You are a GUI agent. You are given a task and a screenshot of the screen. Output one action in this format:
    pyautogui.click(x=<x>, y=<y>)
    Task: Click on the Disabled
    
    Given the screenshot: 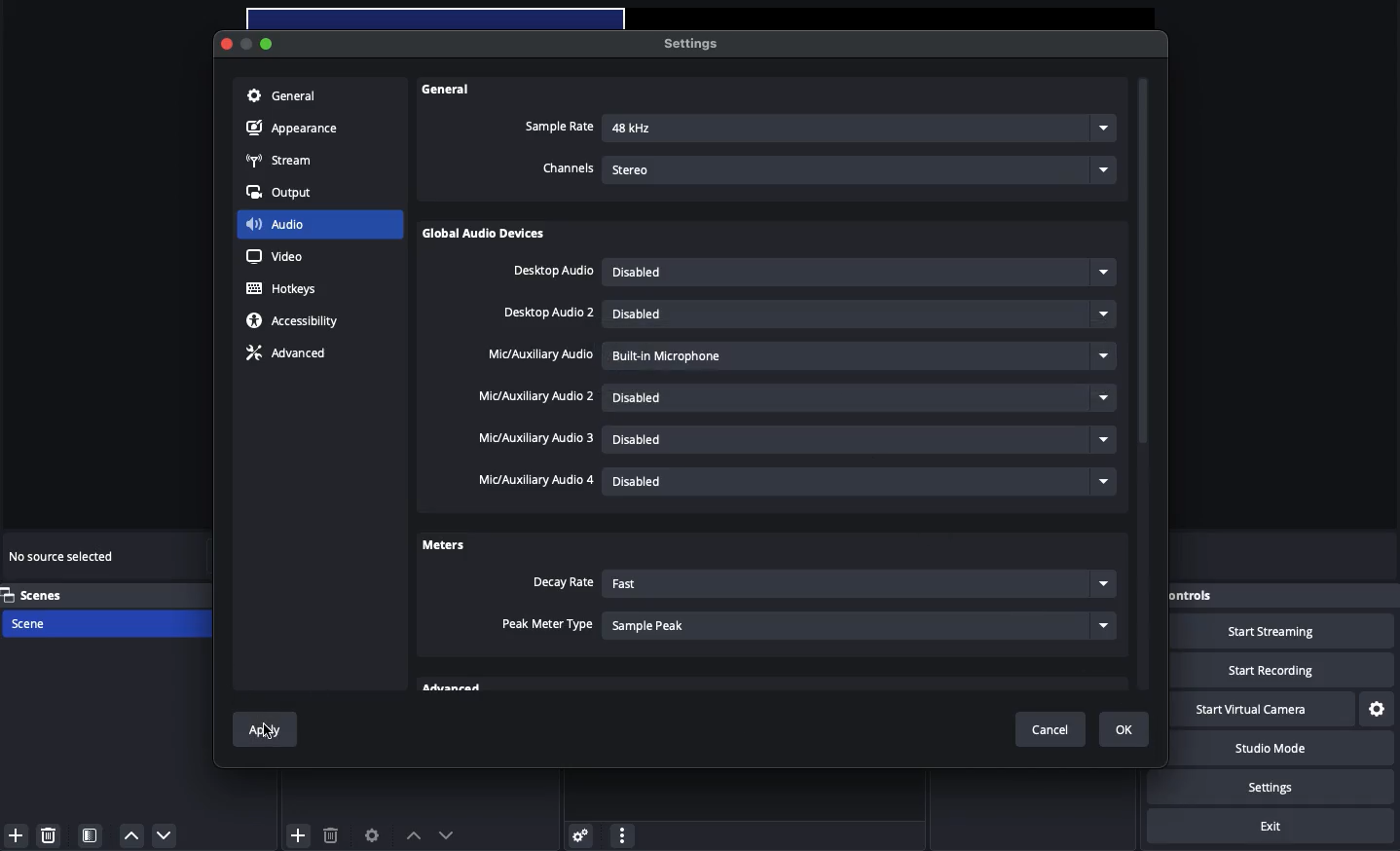 What is the action you would take?
    pyautogui.click(x=864, y=314)
    